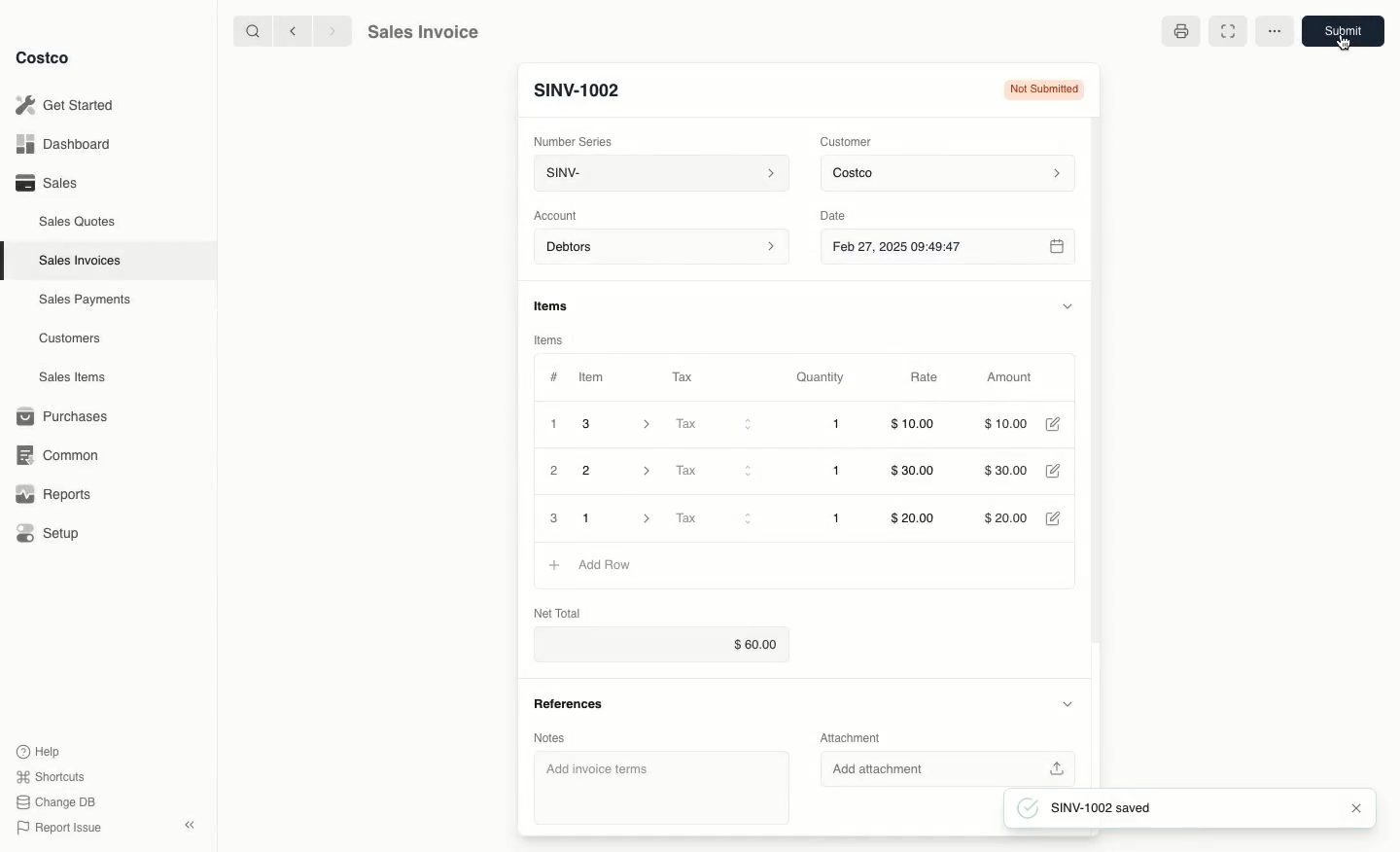 This screenshot has height=852, width=1400. What do you see at coordinates (1056, 424) in the screenshot?
I see `Edit` at bounding box center [1056, 424].